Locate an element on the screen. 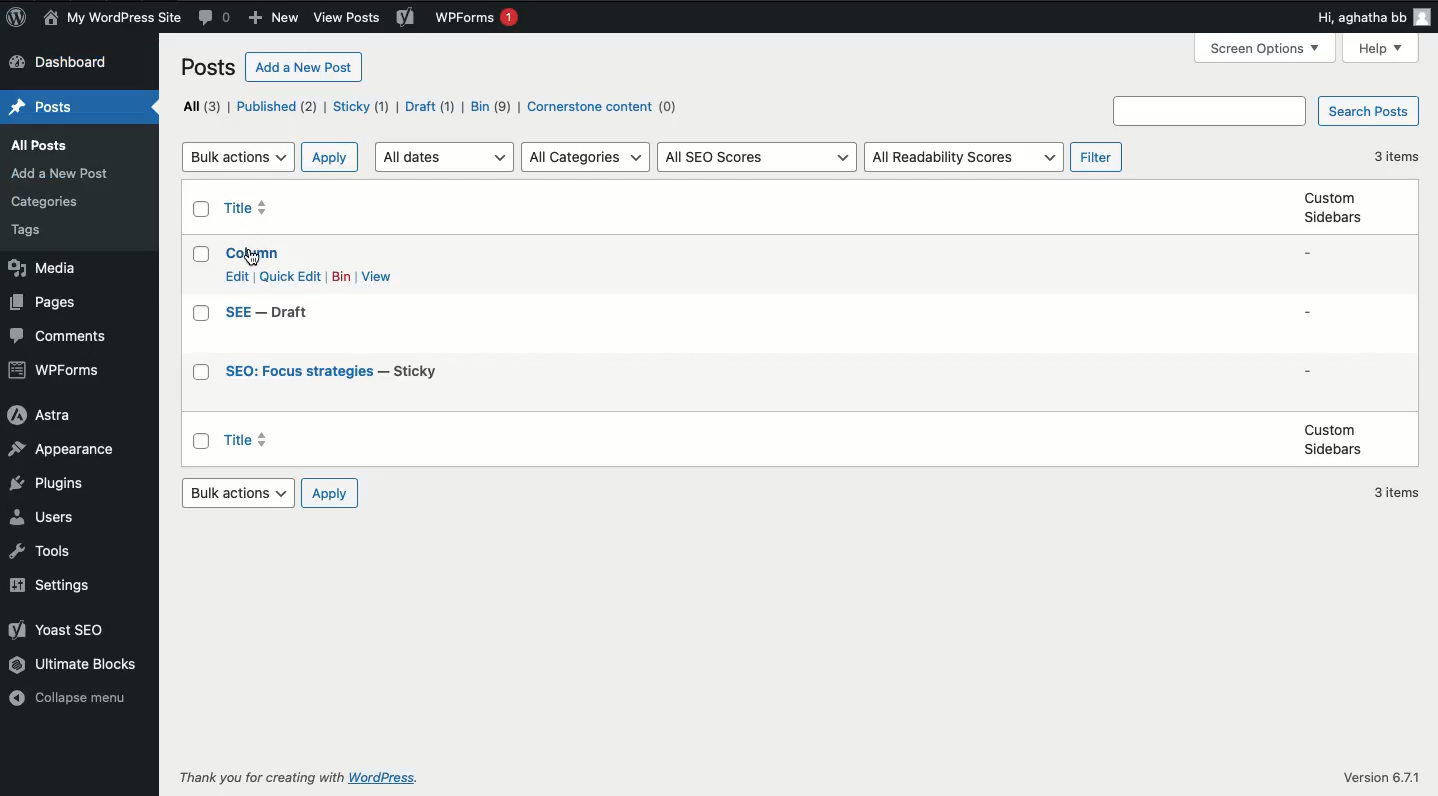  mouse pointer is located at coordinates (251, 258).